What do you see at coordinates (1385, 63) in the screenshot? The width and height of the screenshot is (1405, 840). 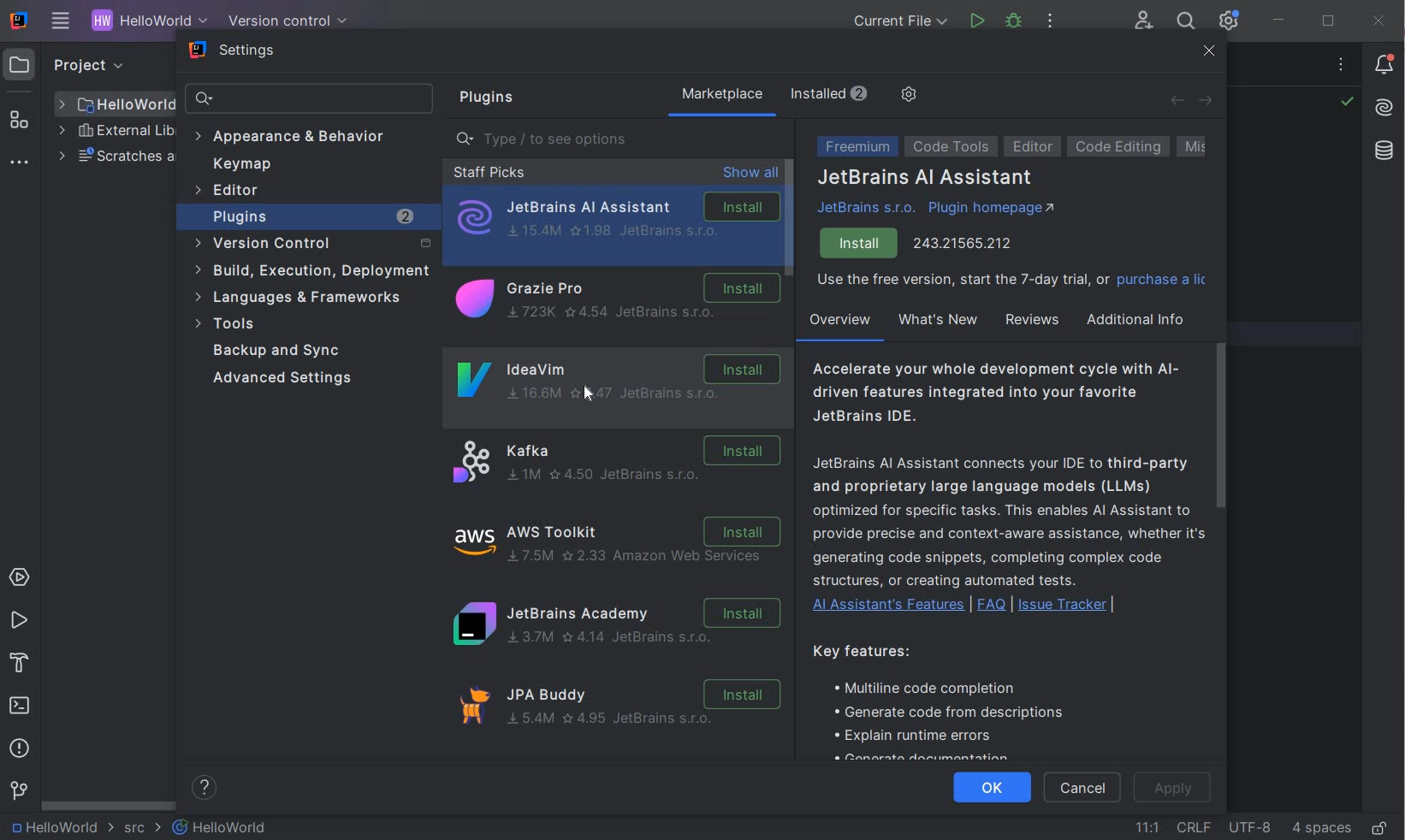 I see `NOTIFICATIONS` at bounding box center [1385, 63].